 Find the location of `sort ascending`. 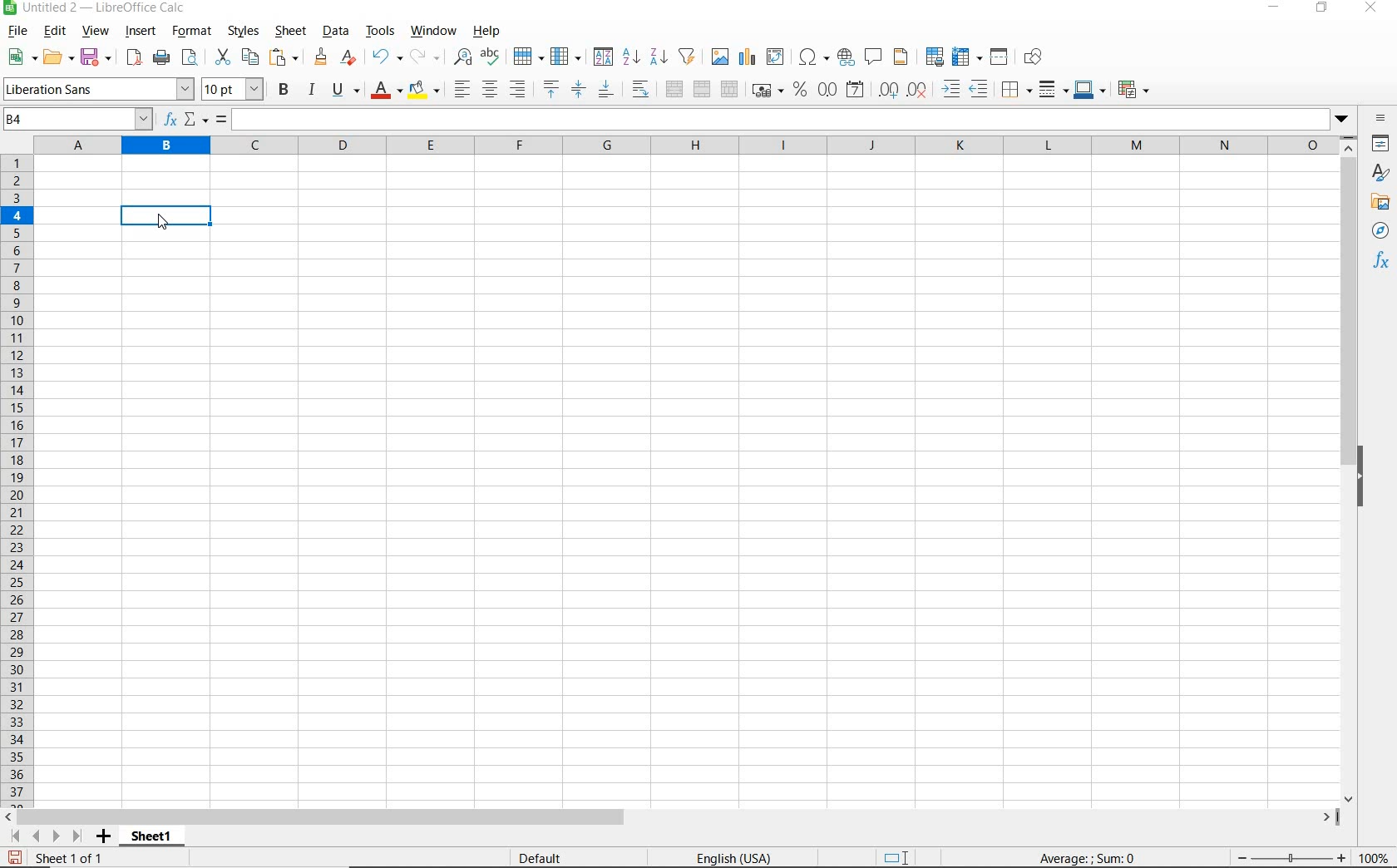

sort ascending is located at coordinates (630, 58).